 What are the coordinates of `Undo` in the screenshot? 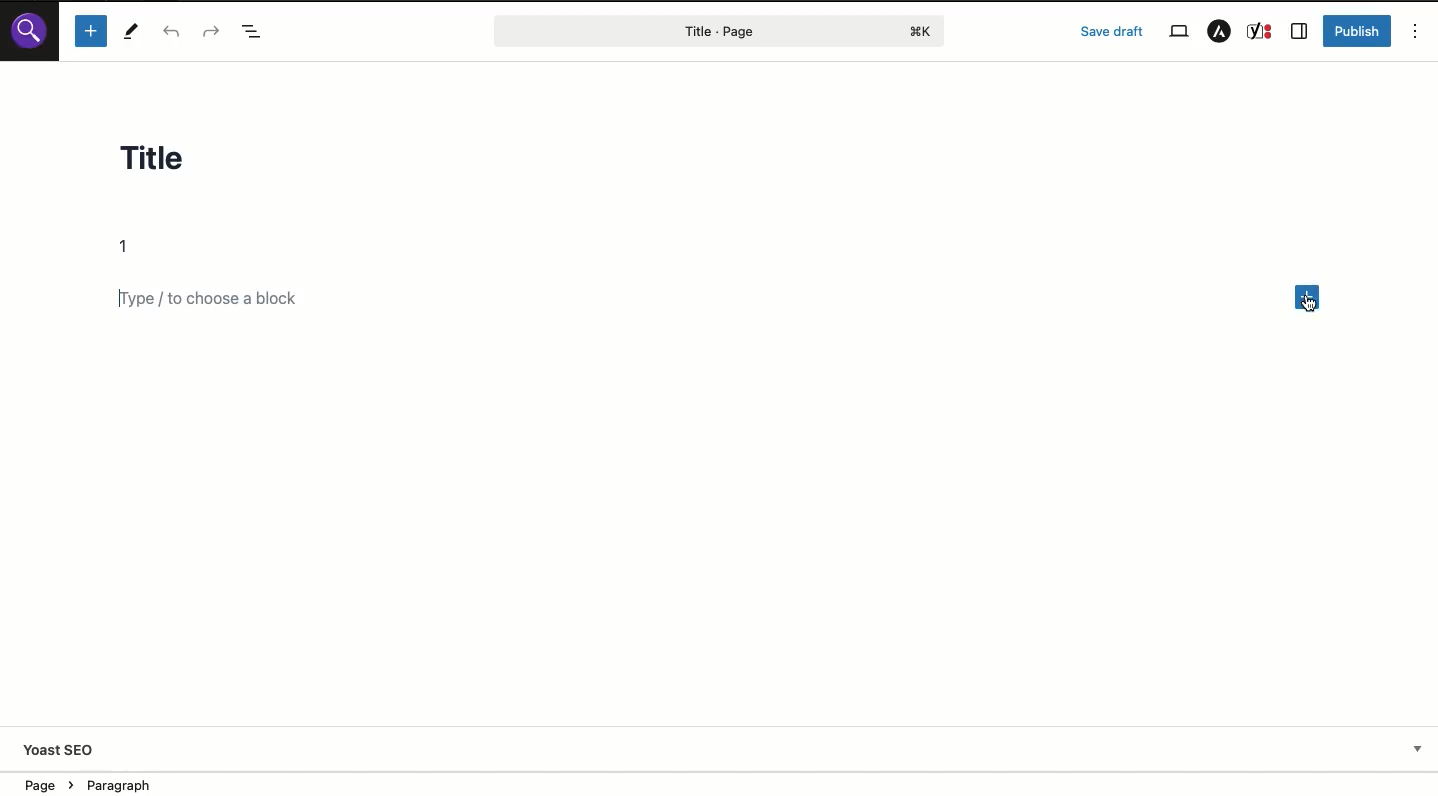 It's located at (176, 32).